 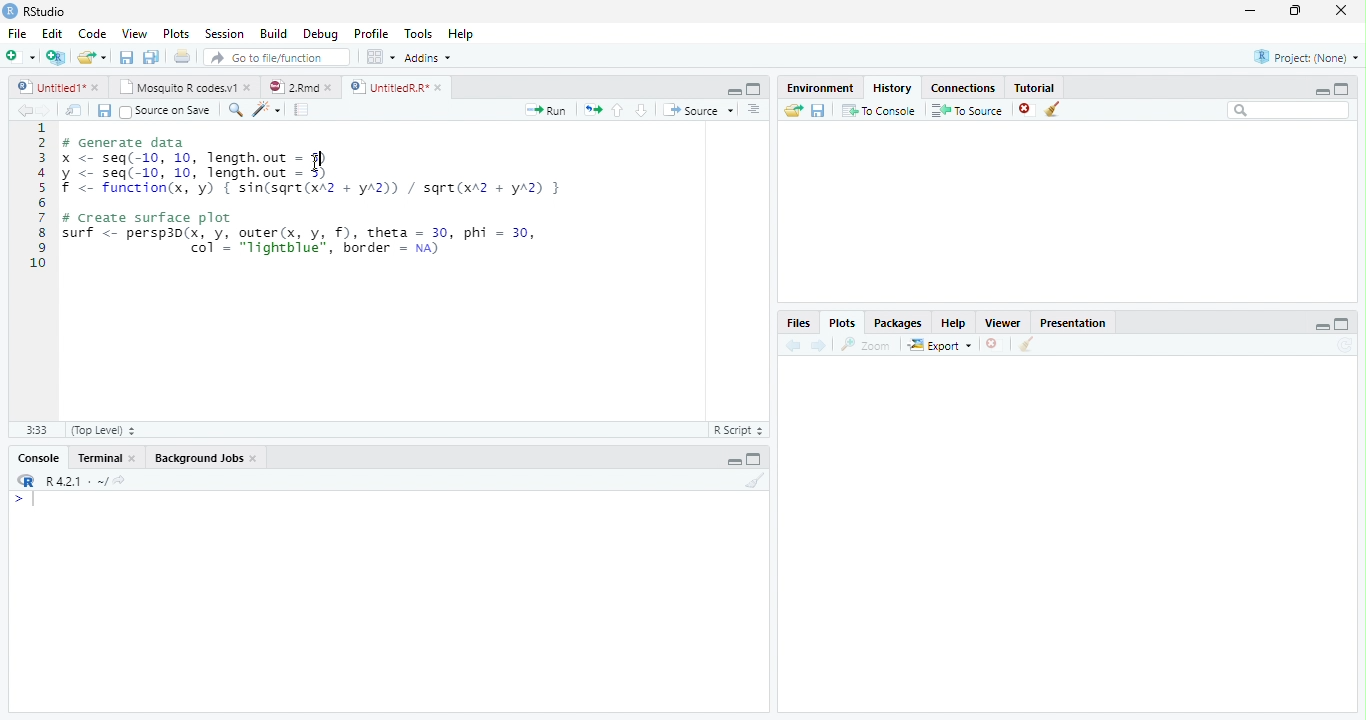 What do you see at coordinates (843, 322) in the screenshot?
I see `Plots` at bounding box center [843, 322].